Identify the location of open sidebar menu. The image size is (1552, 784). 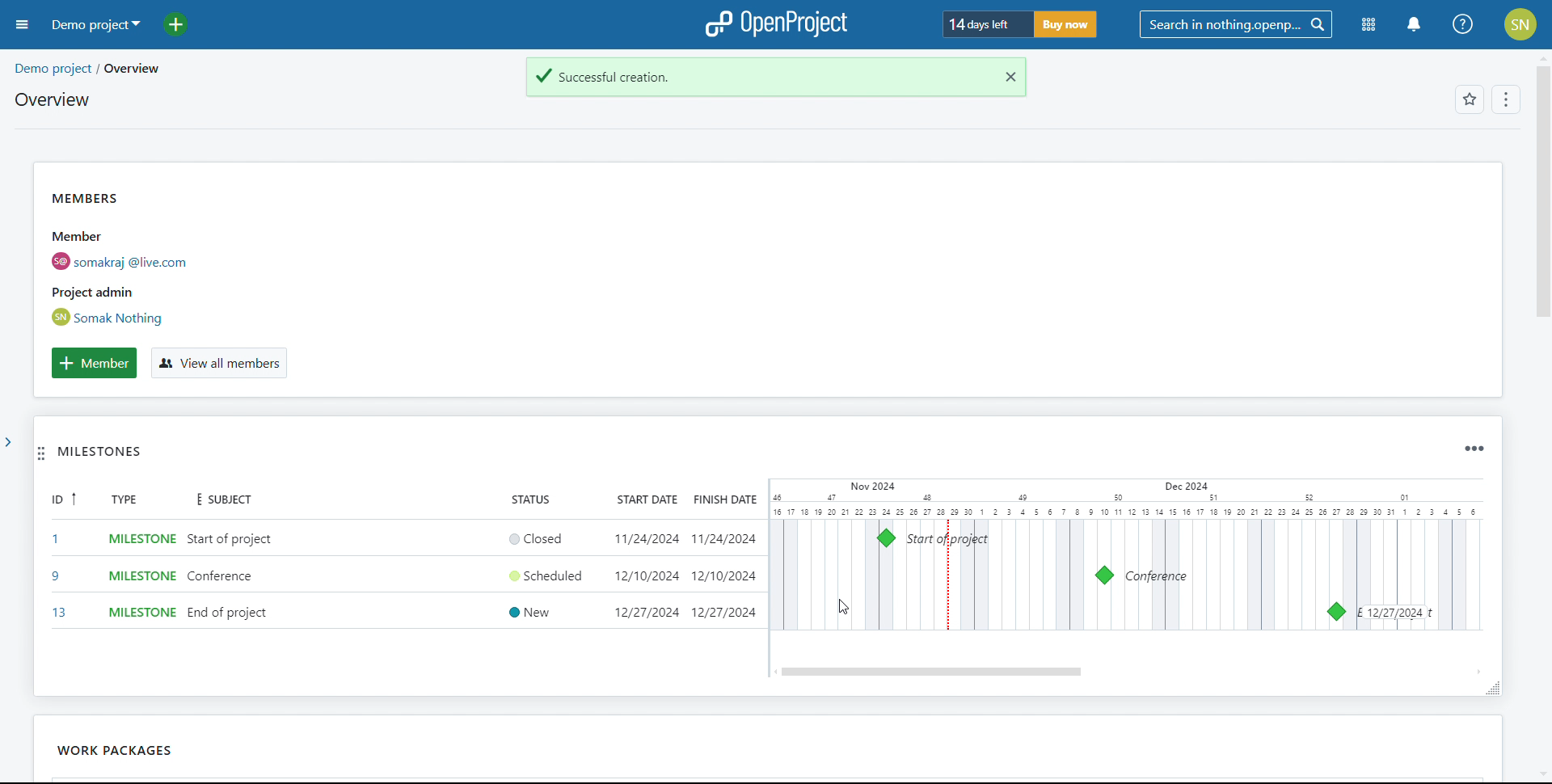
(23, 25).